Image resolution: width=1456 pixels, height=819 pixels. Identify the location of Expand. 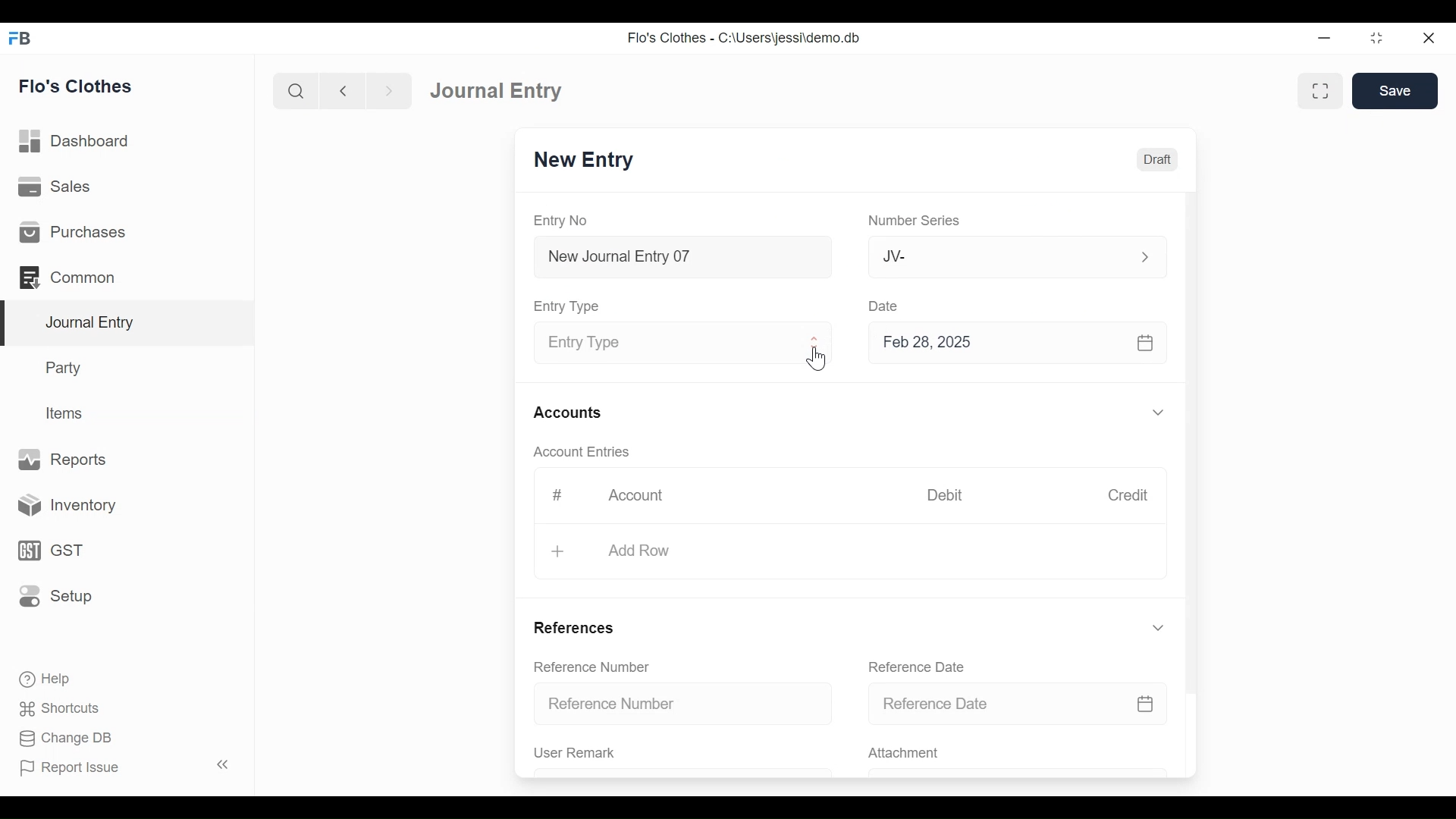
(1158, 412).